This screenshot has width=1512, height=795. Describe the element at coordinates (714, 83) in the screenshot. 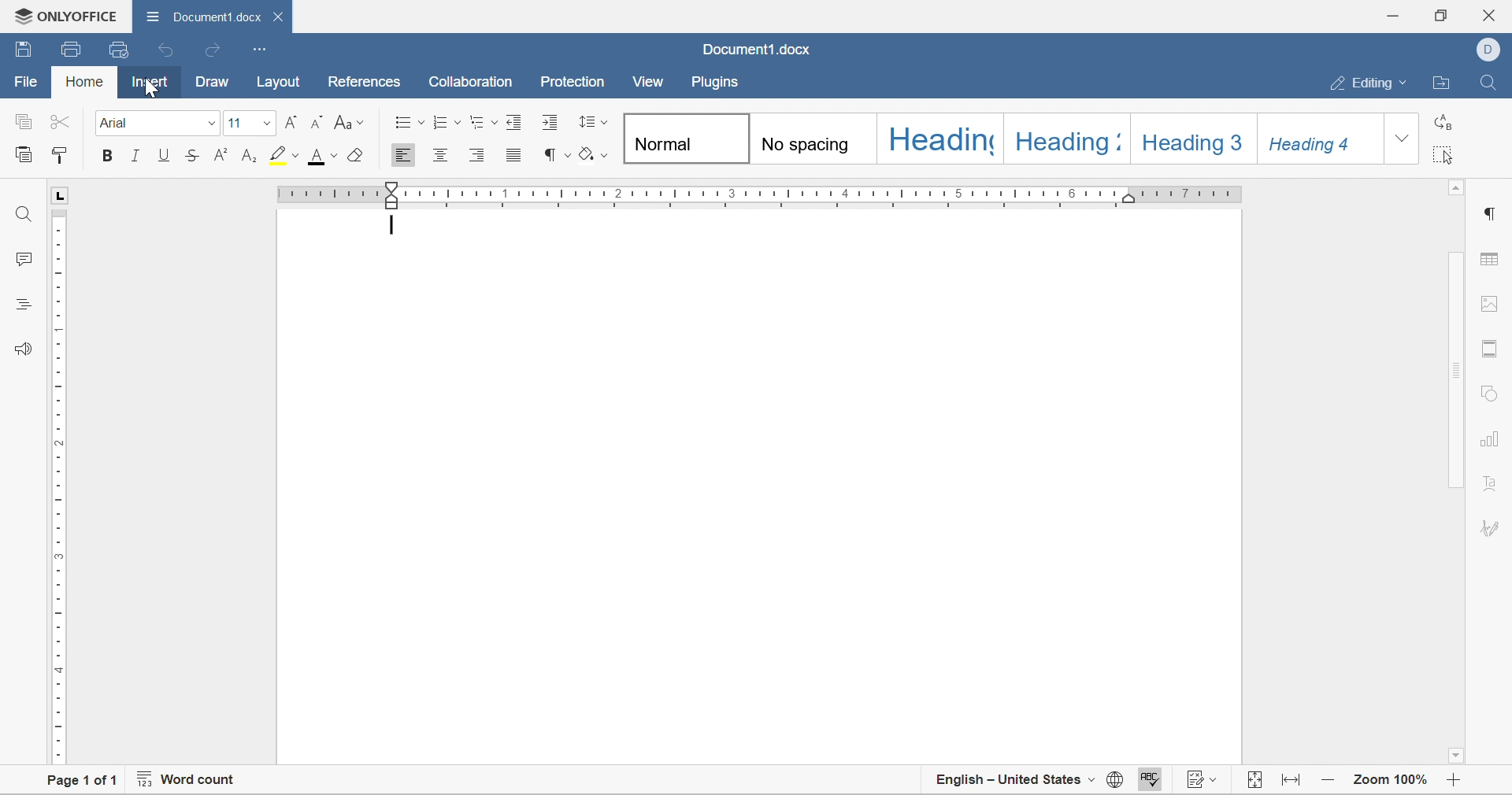

I see `Plugins` at that location.